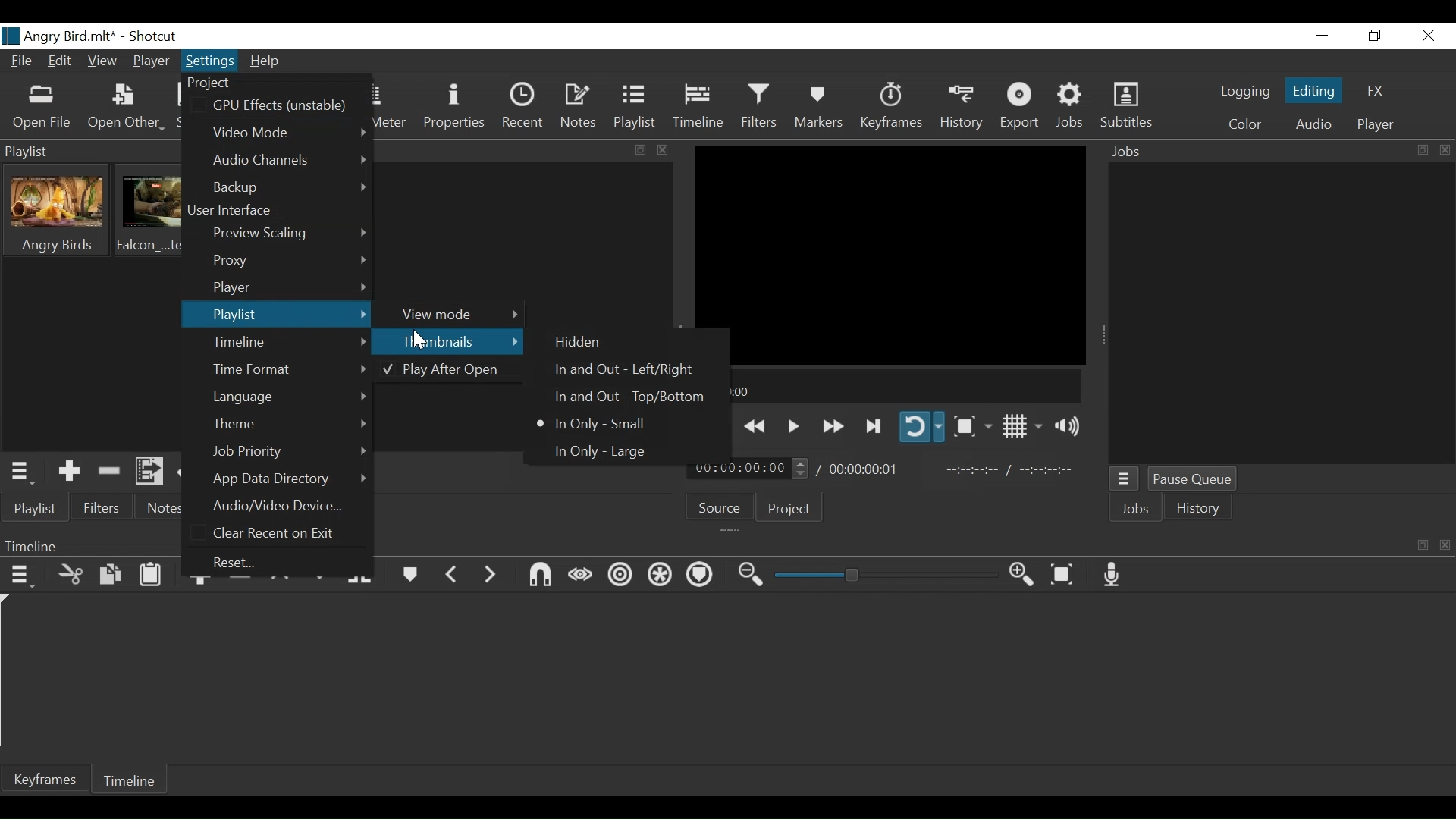  What do you see at coordinates (288, 479) in the screenshot?
I see `App Data Directory` at bounding box center [288, 479].